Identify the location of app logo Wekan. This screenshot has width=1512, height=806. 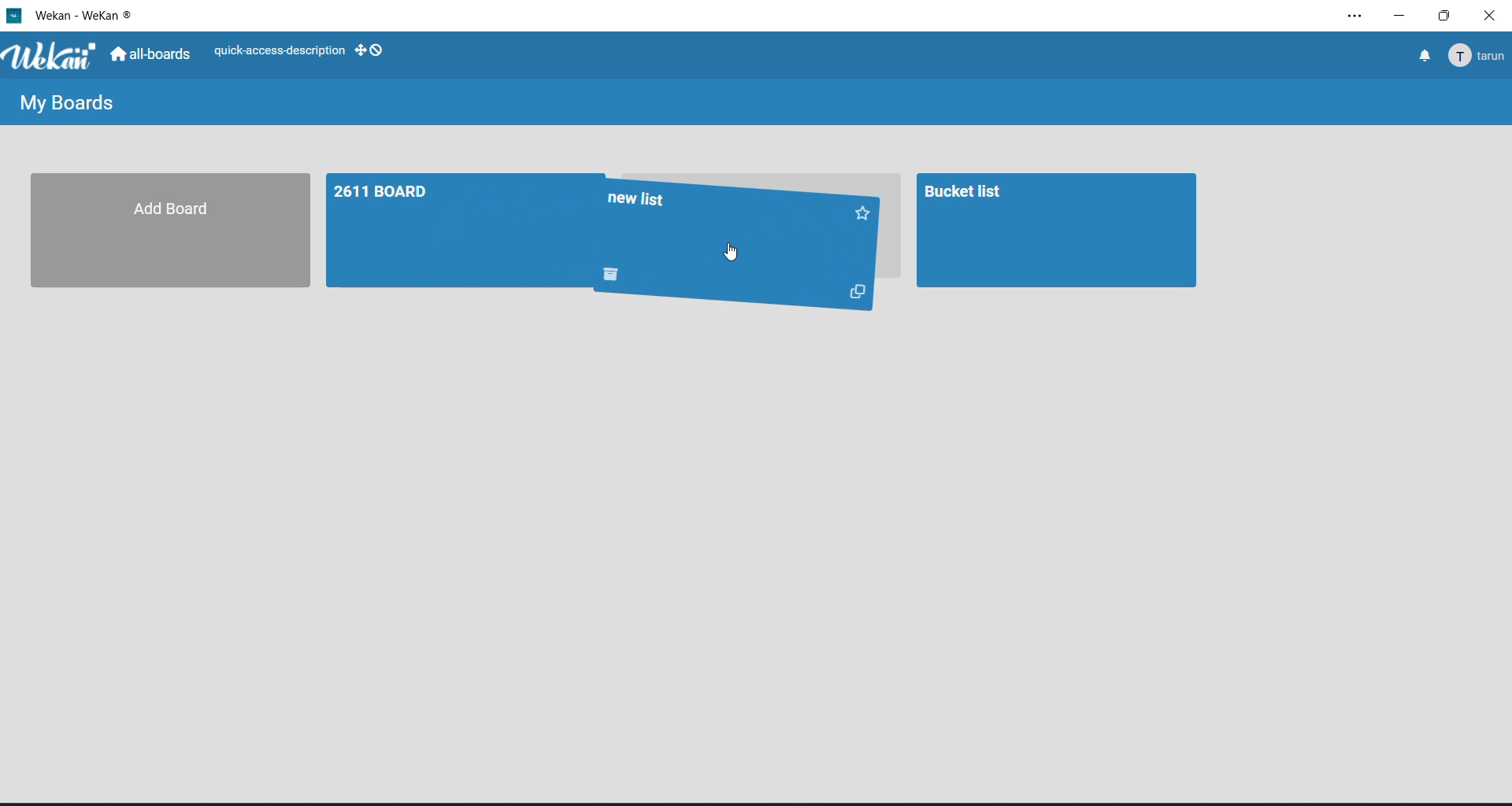
(52, 57).